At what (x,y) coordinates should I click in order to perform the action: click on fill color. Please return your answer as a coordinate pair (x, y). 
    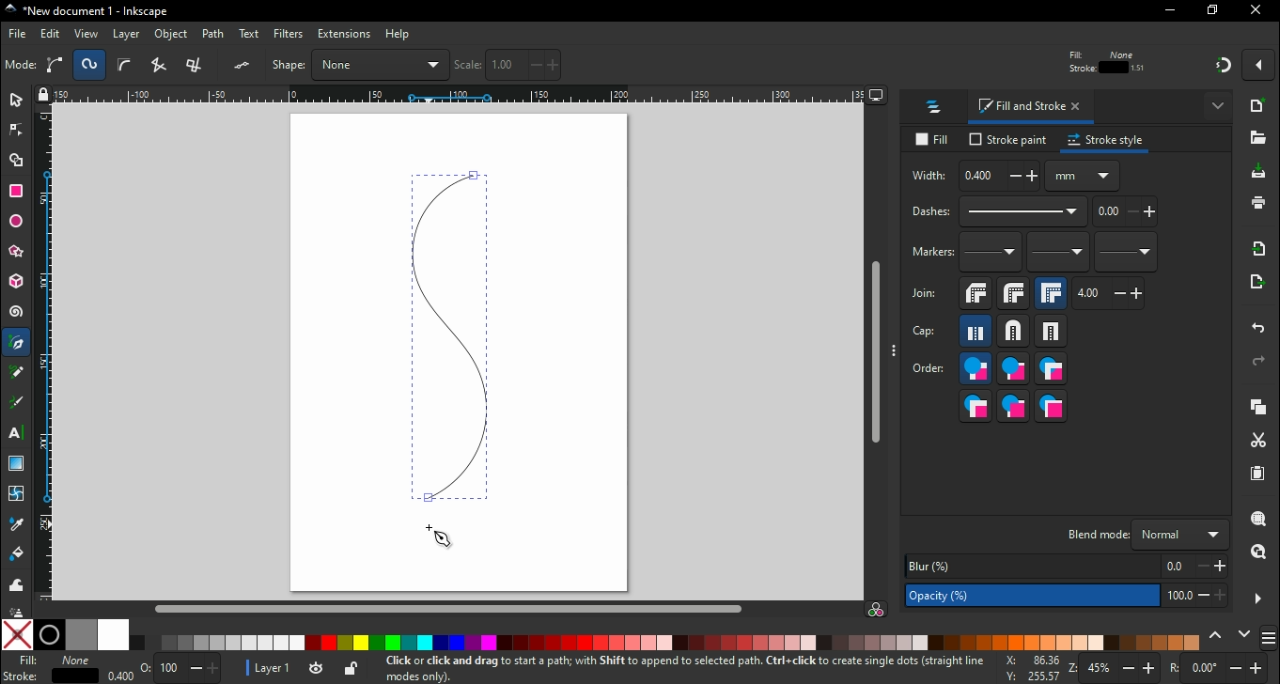
    Looking at the image, I should click on (53, 661).